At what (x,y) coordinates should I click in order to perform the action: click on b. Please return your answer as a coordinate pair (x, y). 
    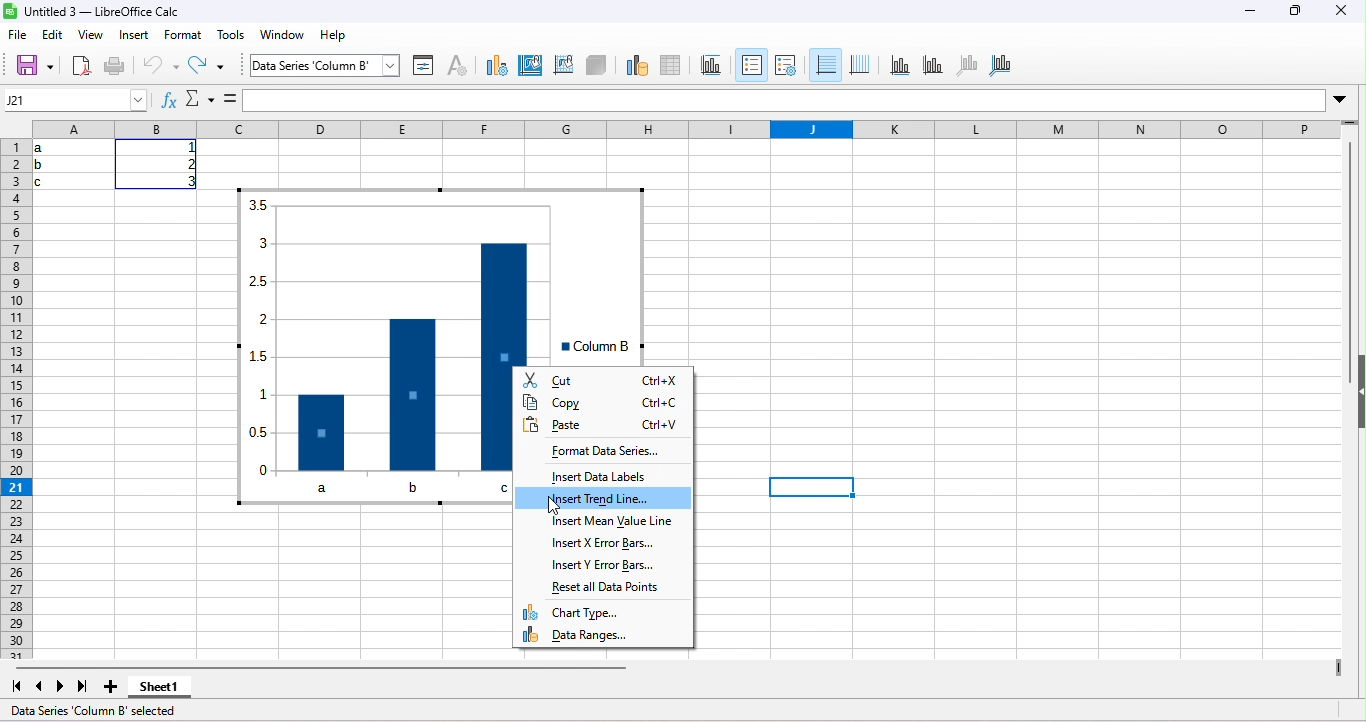
    Looking at the image, I should click on (405, 487).